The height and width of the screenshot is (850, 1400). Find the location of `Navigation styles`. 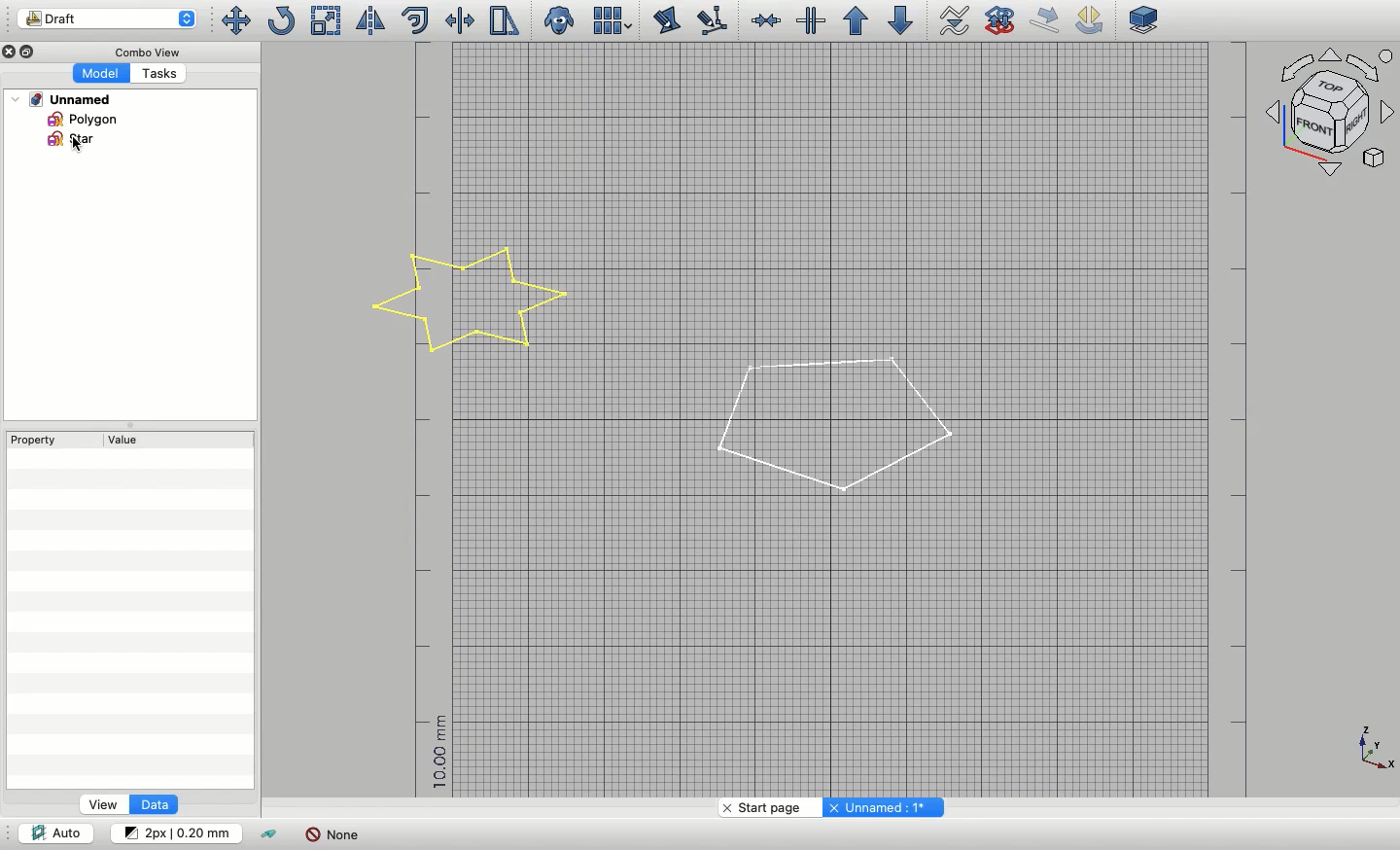

Navigation styles is located at coordinates (1332, 110).